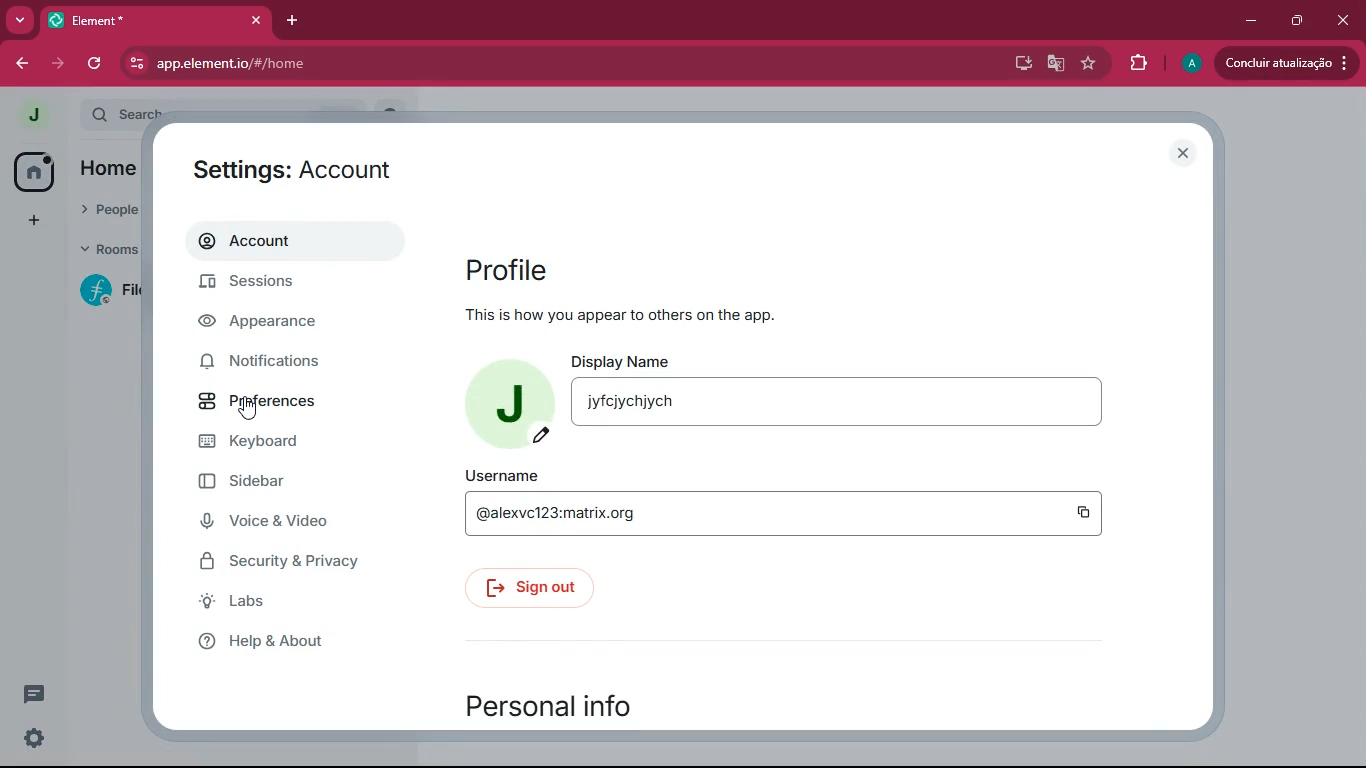 Image resolution: width=1366 pixels, height=768 pixels. I want to click on sign out, so click(537, 590).